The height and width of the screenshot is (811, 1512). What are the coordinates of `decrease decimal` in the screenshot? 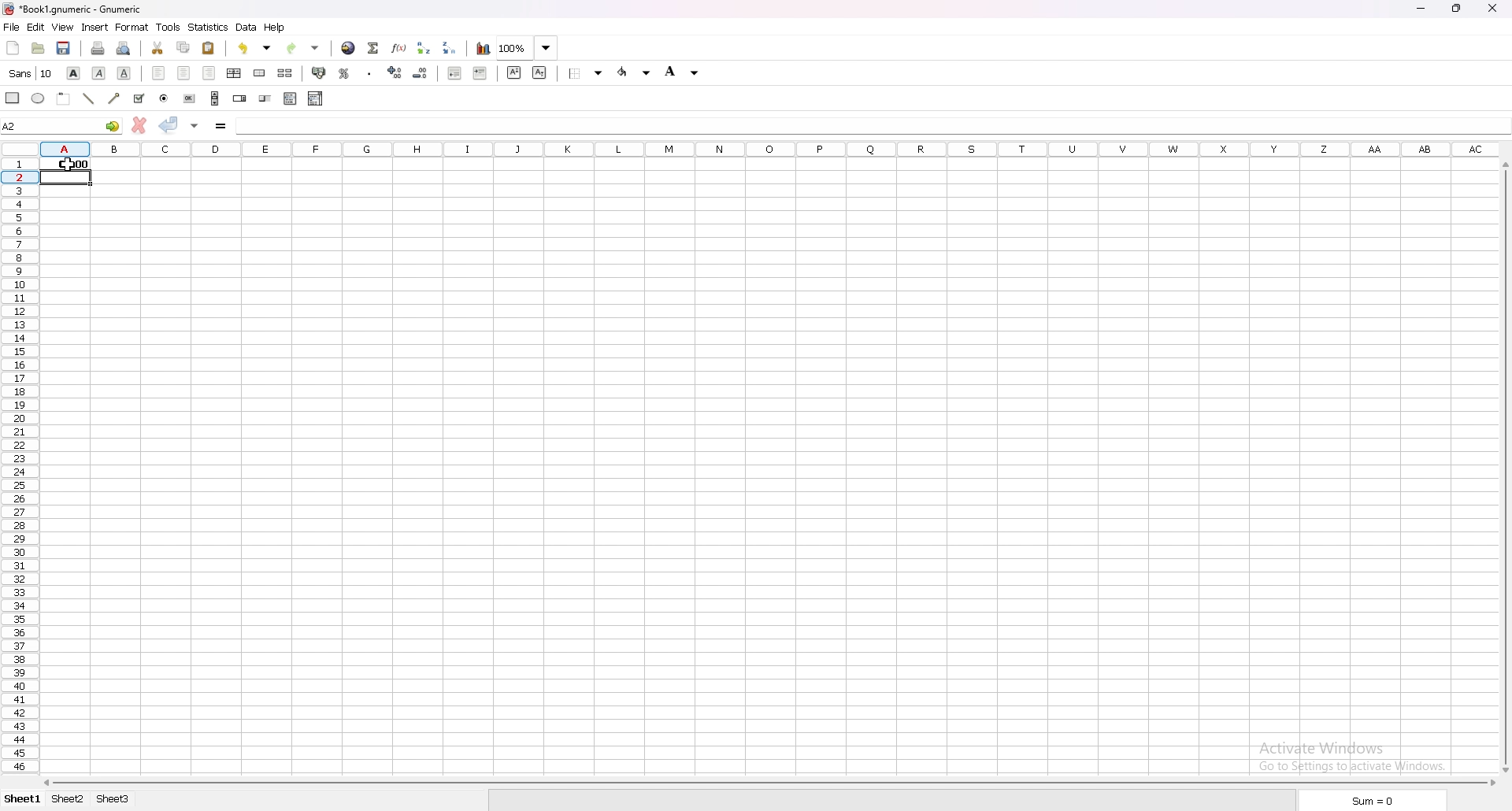 It's located at (420, 72).